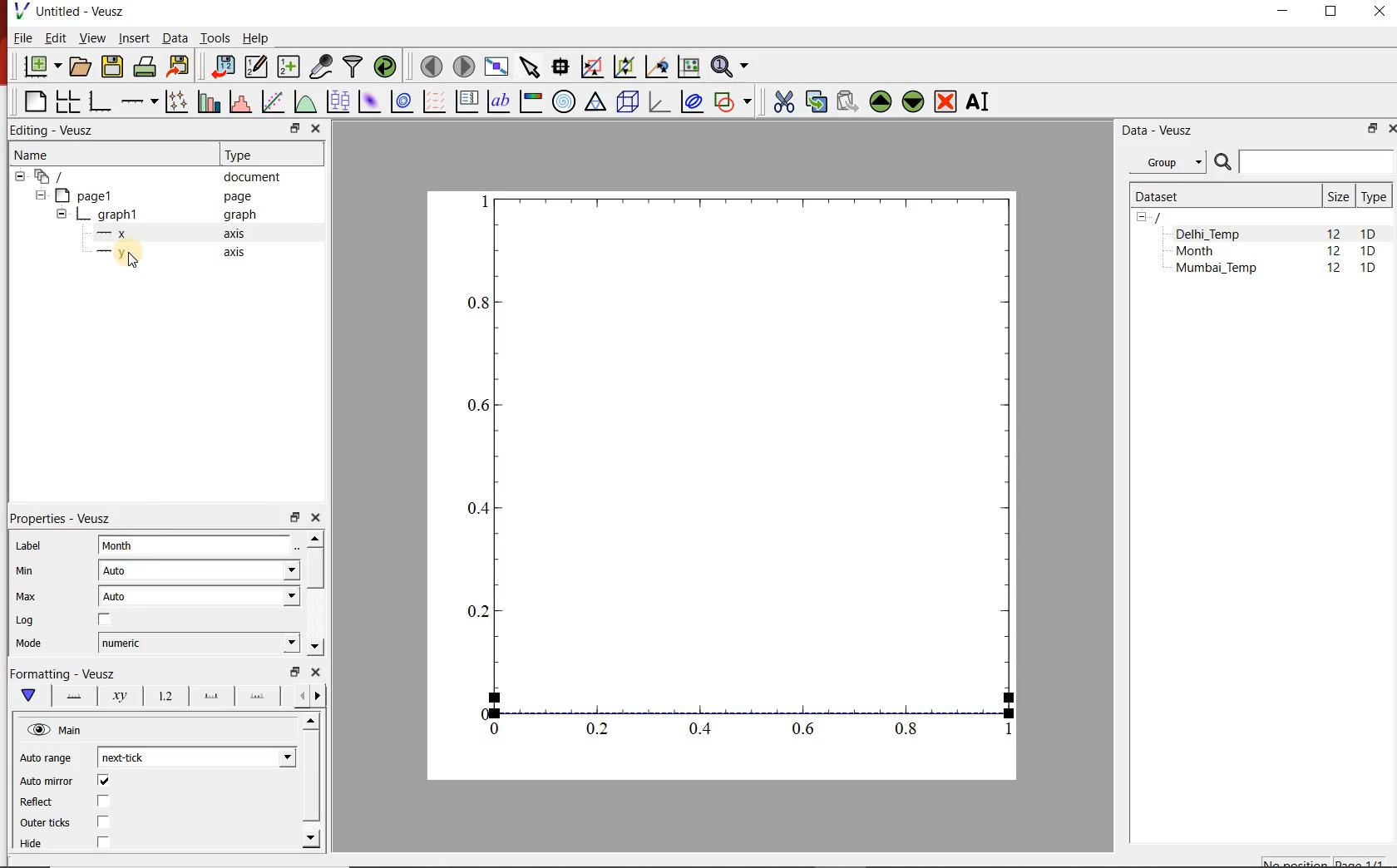  What do you see at coordinates (1369, 234) in the screenshot?
I see `1D` at bounding box center [1369, 234].